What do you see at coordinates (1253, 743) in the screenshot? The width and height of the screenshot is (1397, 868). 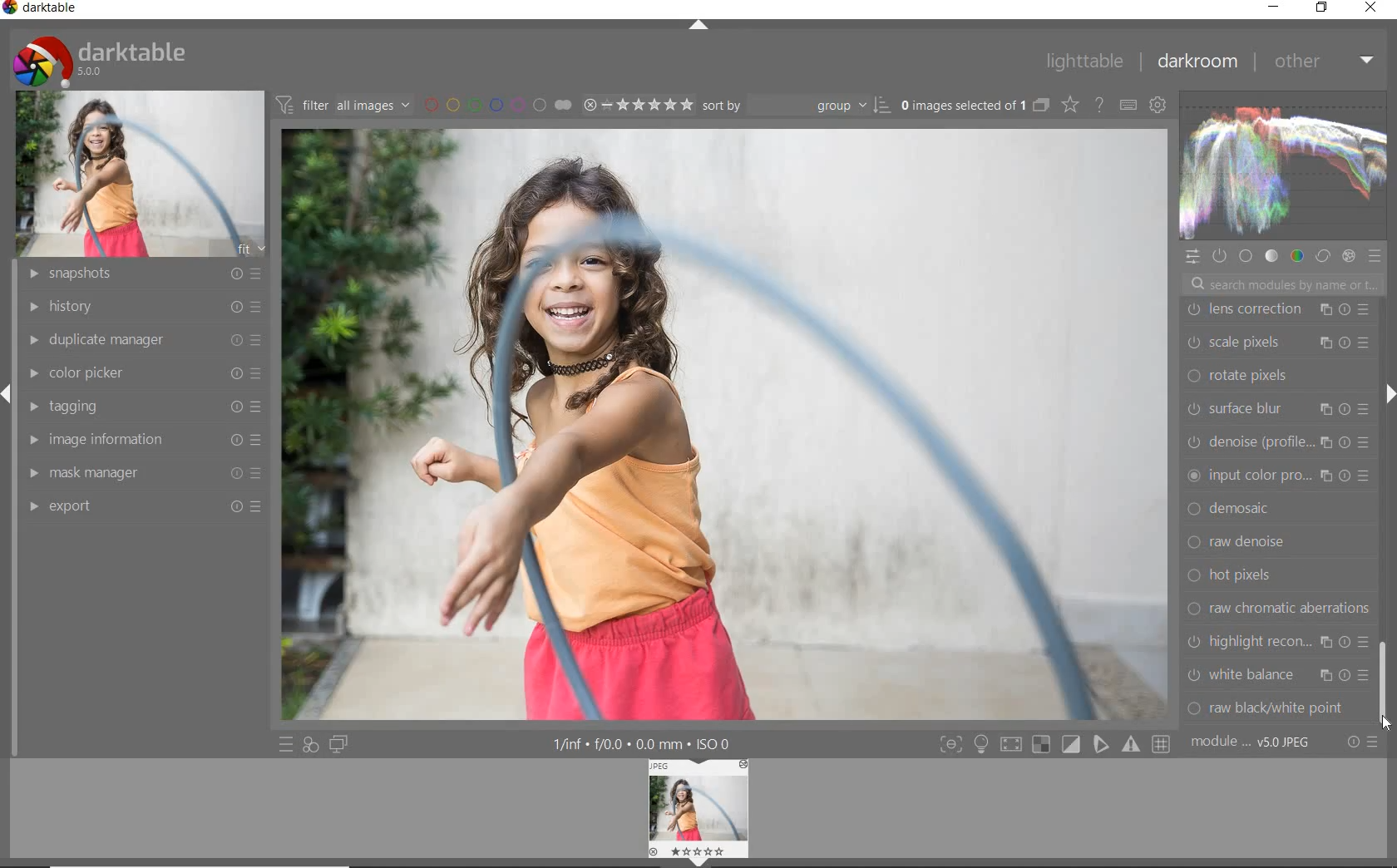 I see `module order` at bounding box center [1253, 743].